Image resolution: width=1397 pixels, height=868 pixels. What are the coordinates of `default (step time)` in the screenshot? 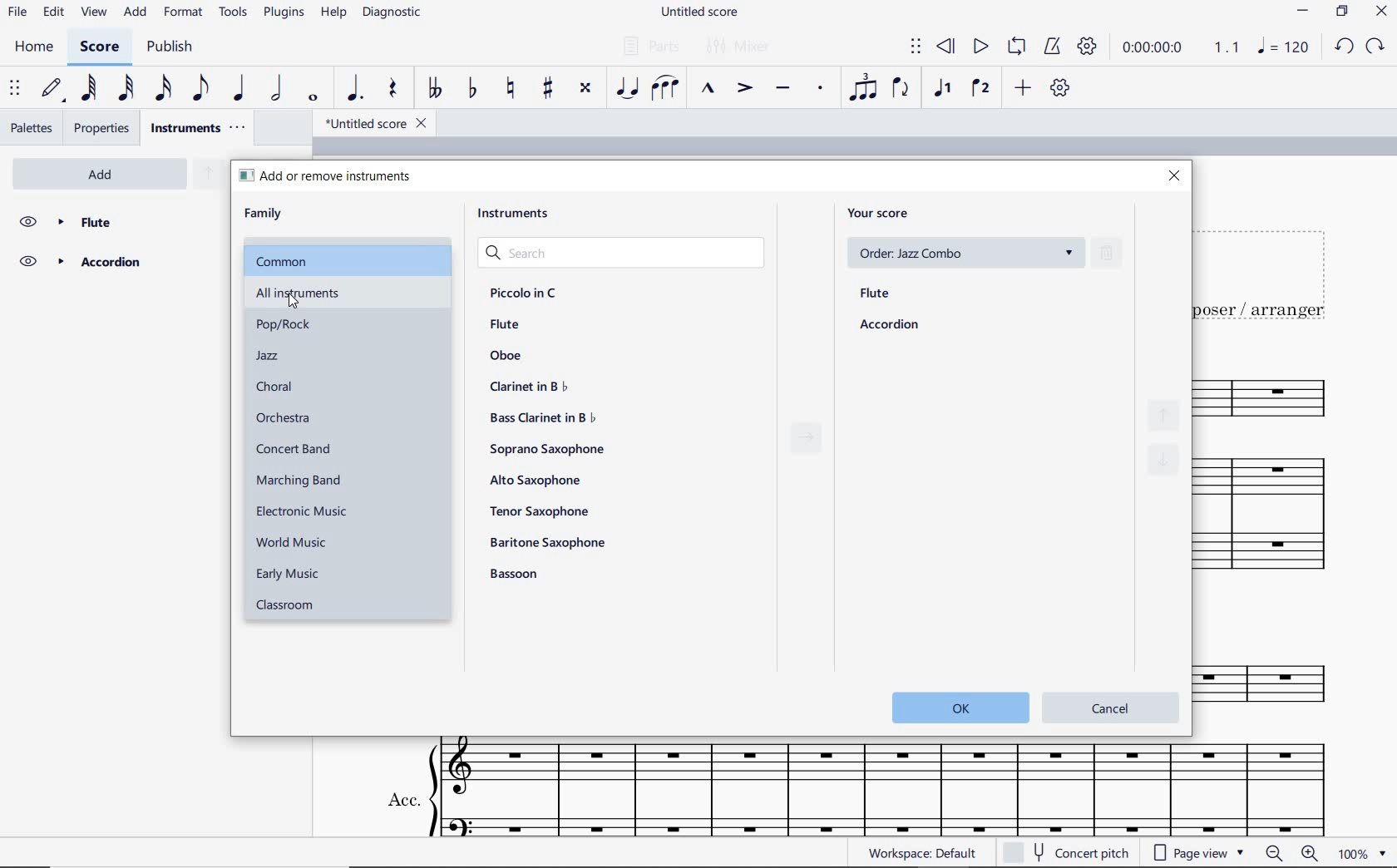 It's located at (51, 89).